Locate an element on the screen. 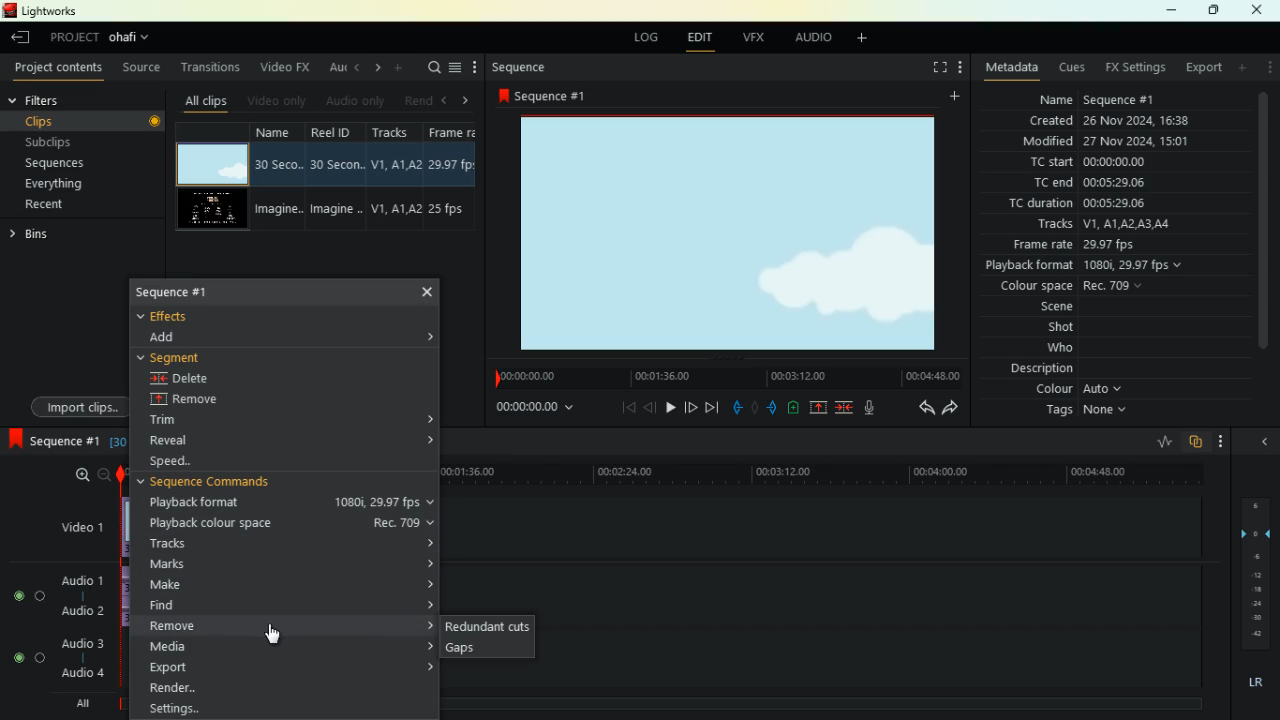 This screenshot has width=1280, height=720. audio1 is located at coordinates (83, 581).